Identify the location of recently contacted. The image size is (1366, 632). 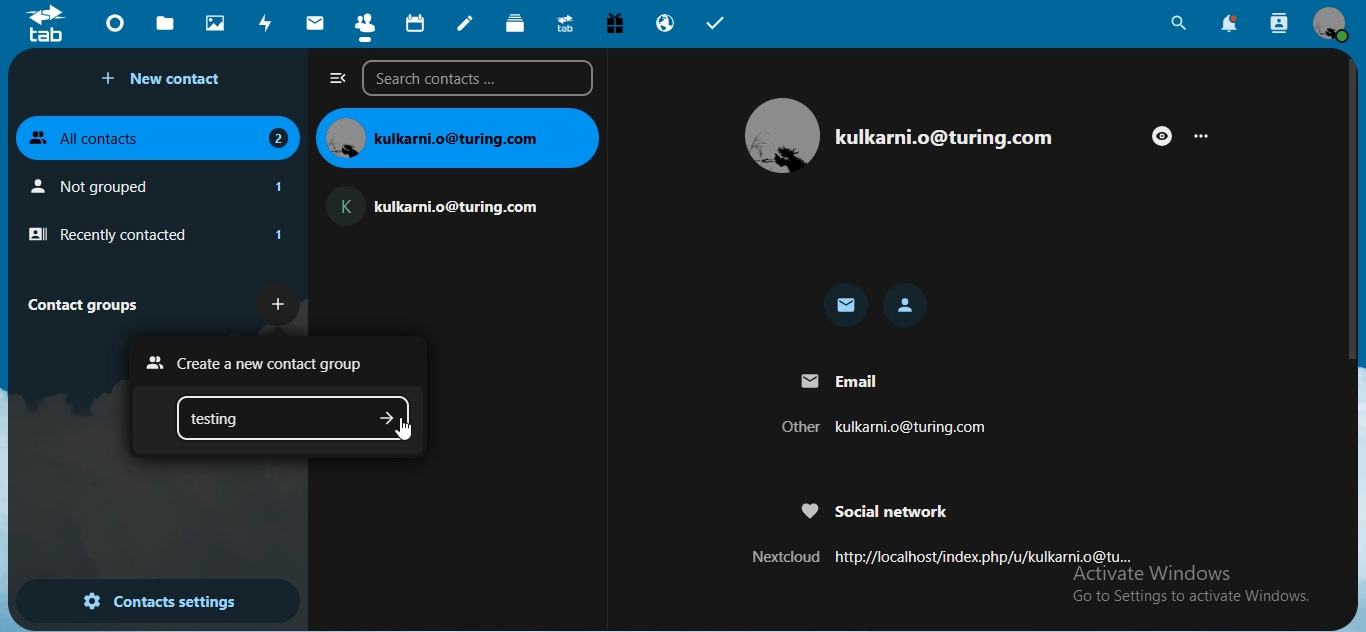
(155, 235).